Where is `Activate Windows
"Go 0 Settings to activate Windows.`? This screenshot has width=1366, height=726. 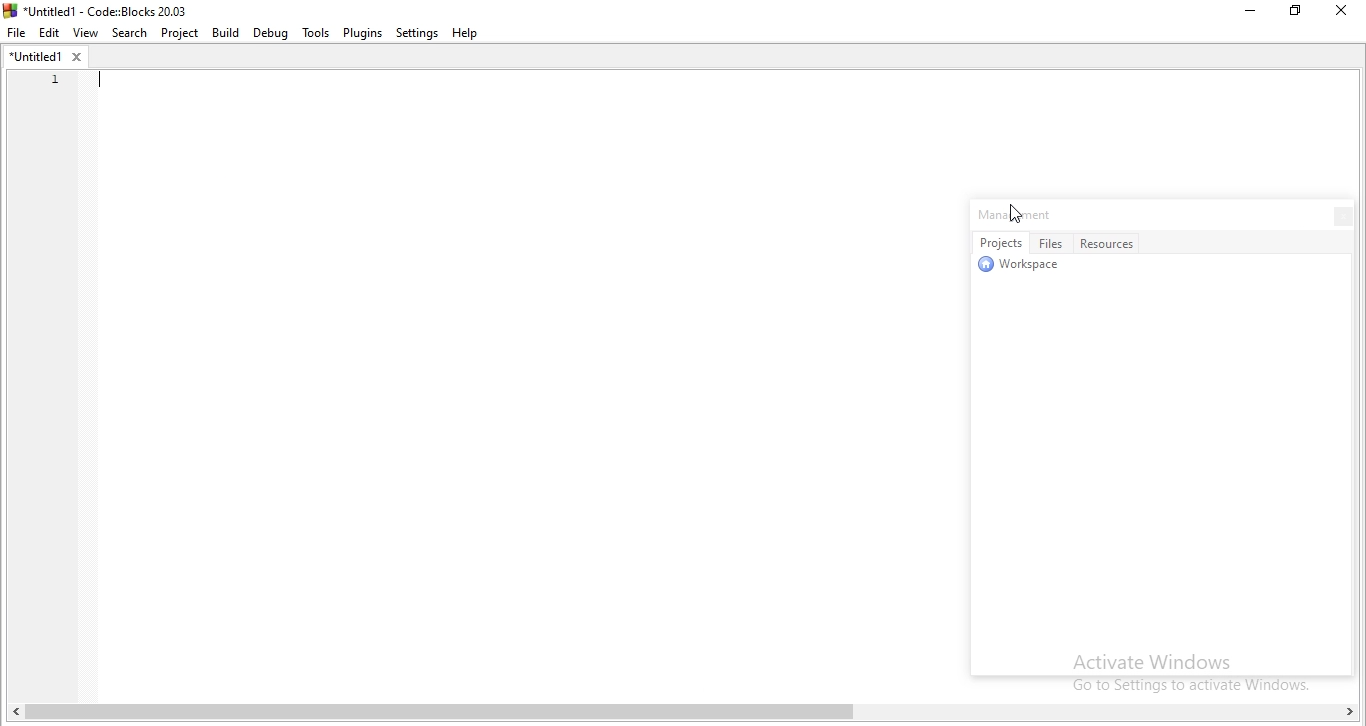
Activate Windows
"Go 0 Settings to activate Windows. is located at coordinates (1183, 670).